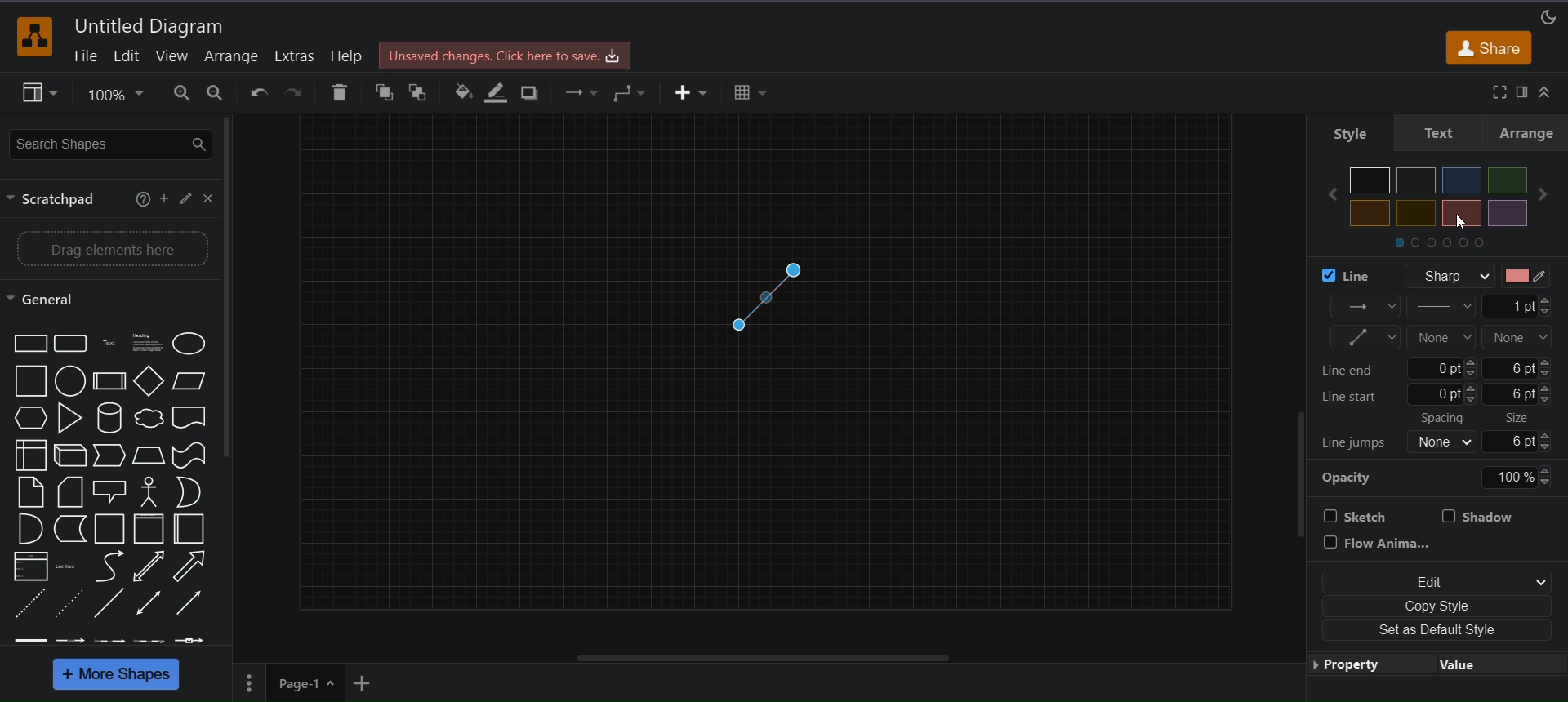  What do you see at coordinates (1519, 337) in the screenshot?
I see `line end` at bounding box center [1519, 337].